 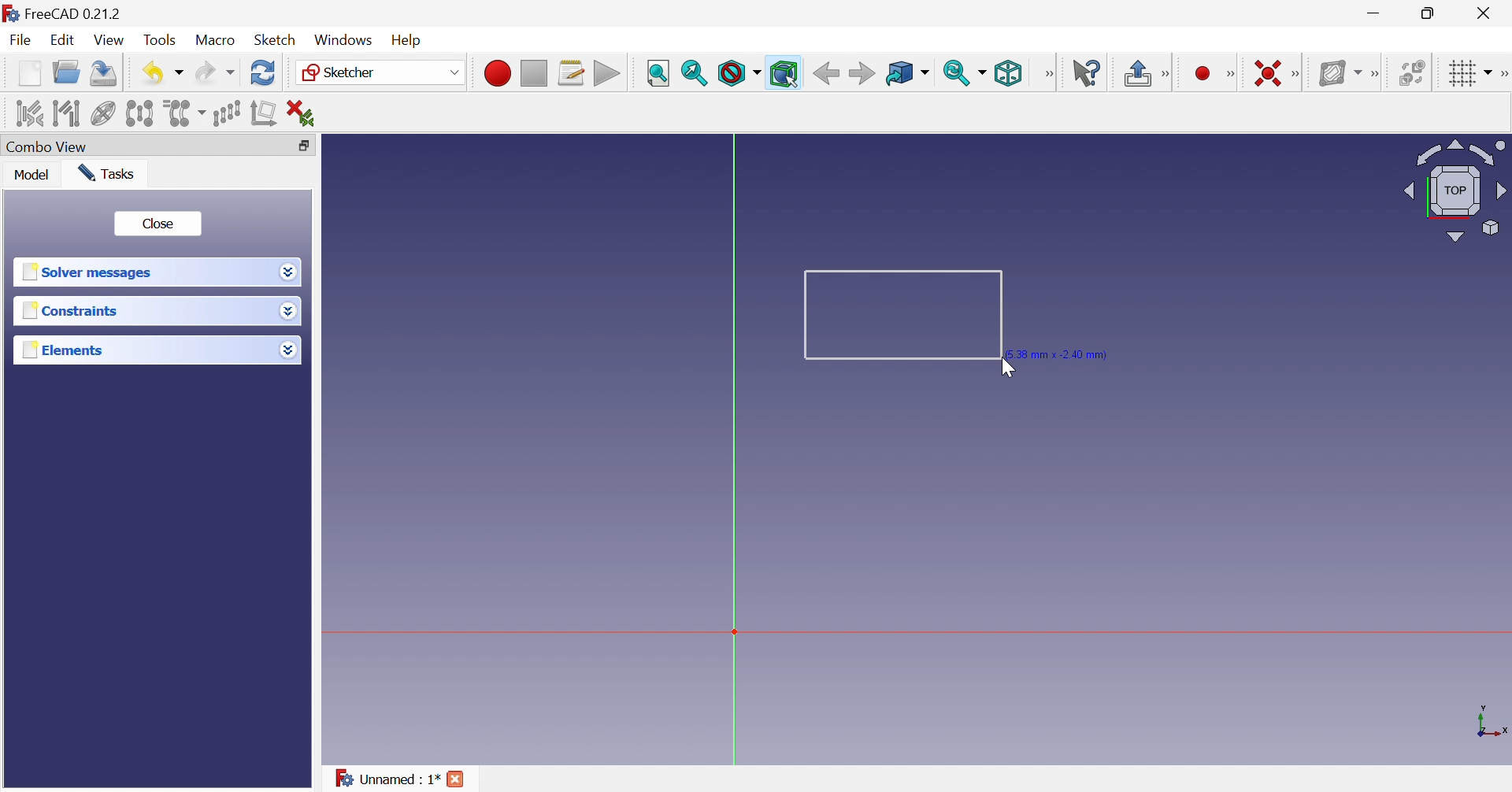 I want to click on logo, so click(x=10, y=13).